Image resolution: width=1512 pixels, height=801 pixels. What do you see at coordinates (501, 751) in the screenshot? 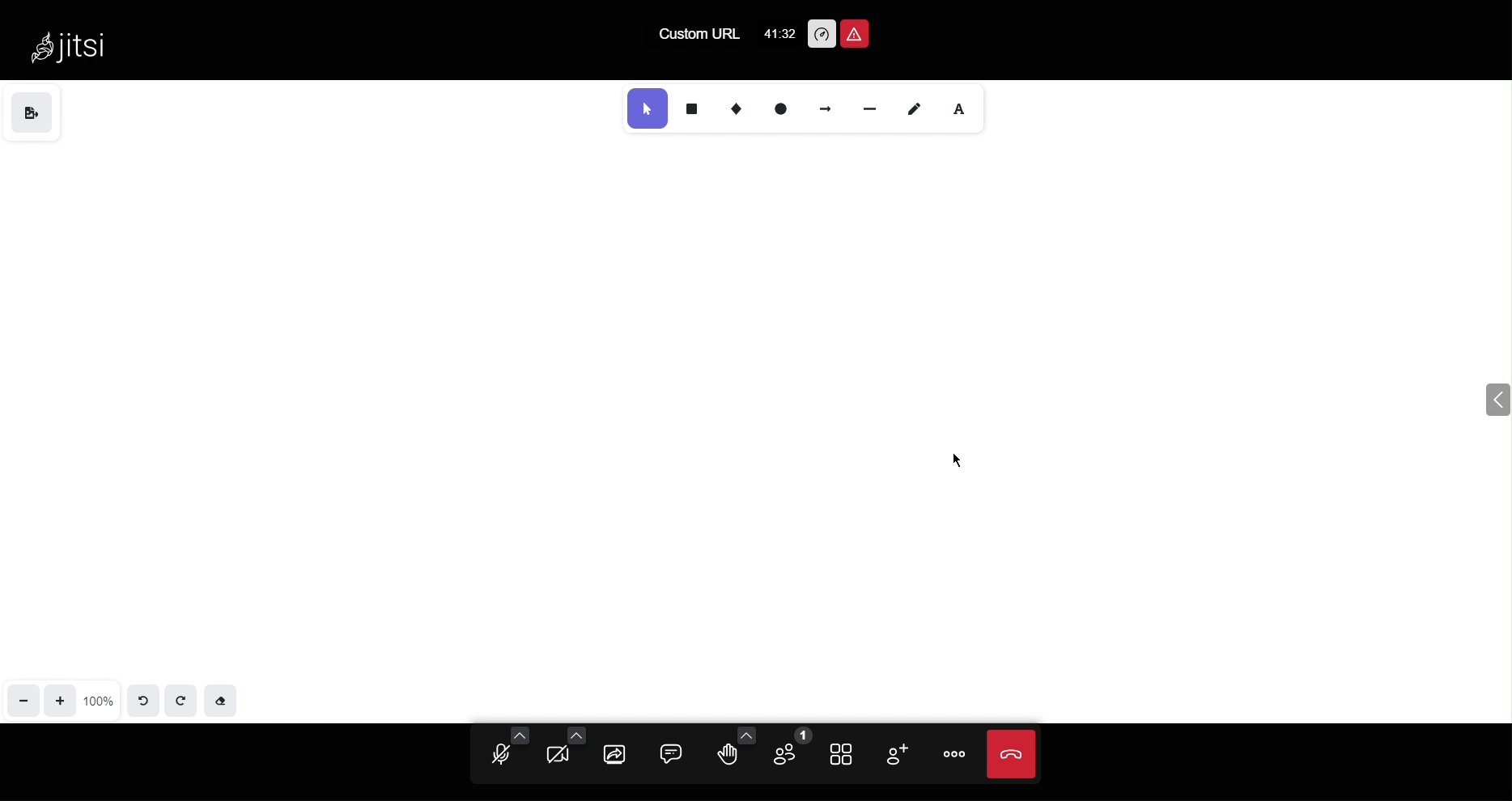
I see `Audio` at bounding box center [501, 751].